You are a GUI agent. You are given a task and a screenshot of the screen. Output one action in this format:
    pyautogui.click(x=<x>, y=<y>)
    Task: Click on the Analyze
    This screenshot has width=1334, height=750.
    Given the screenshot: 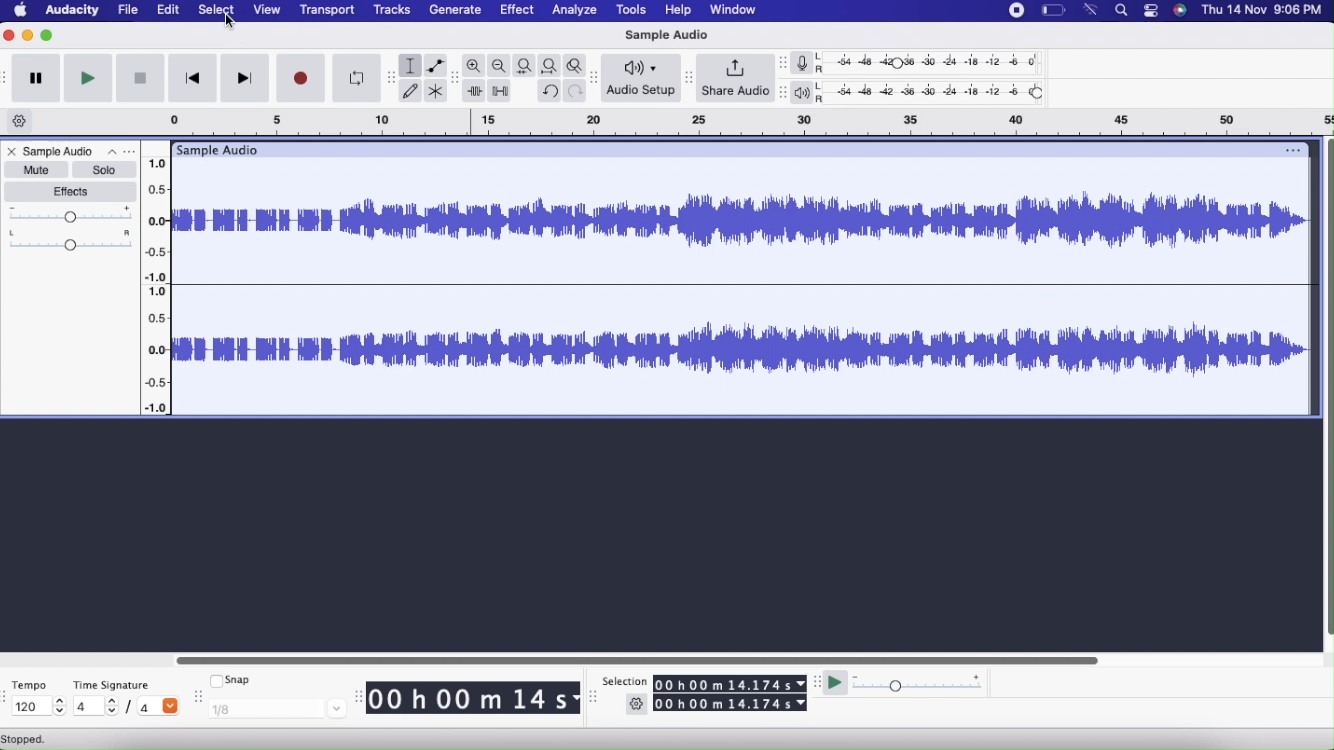 What is the action you would take?
    pyautogui.click(x=576, y=10)
    